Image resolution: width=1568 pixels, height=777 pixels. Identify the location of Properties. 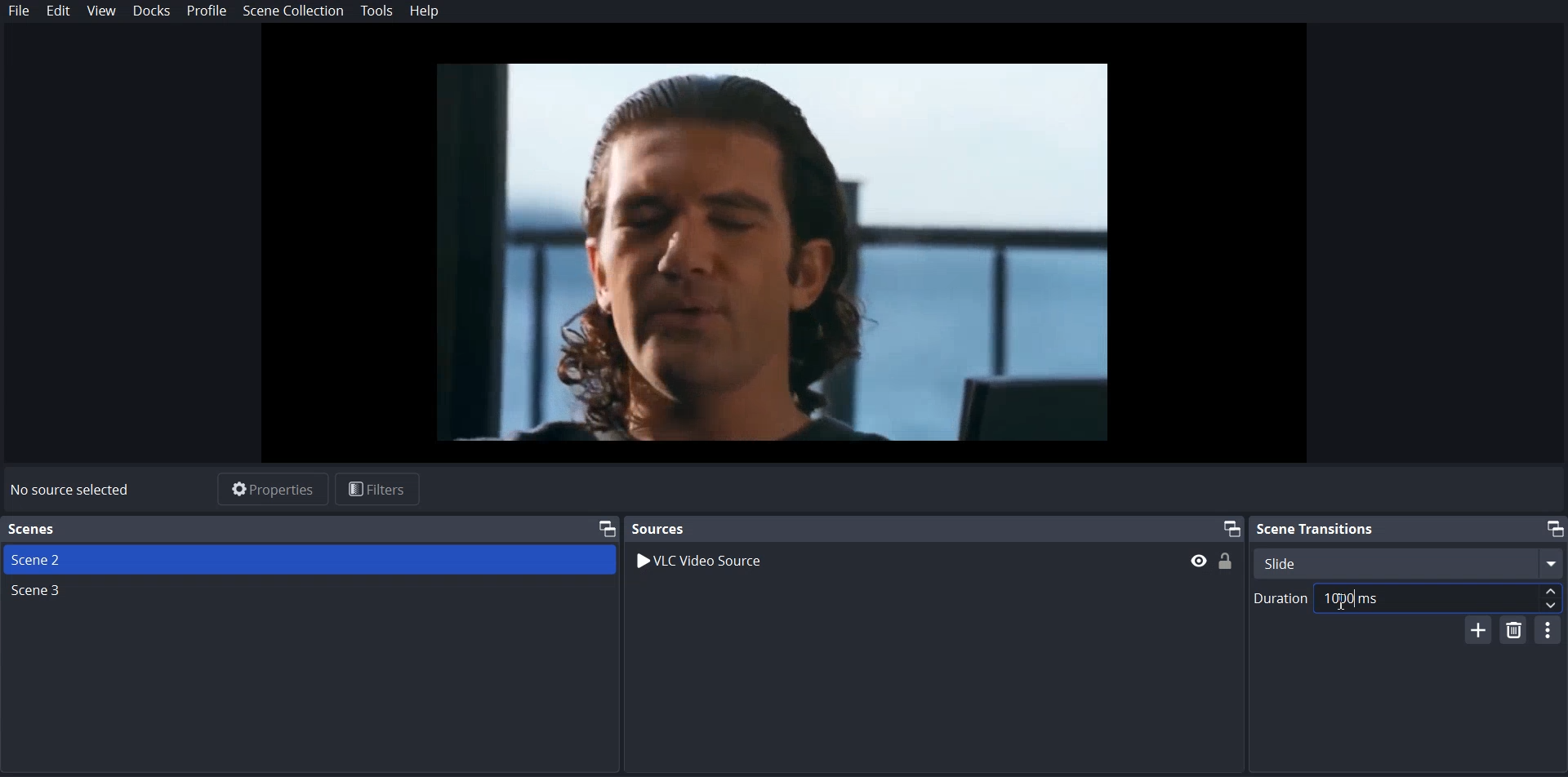
(273, 490).